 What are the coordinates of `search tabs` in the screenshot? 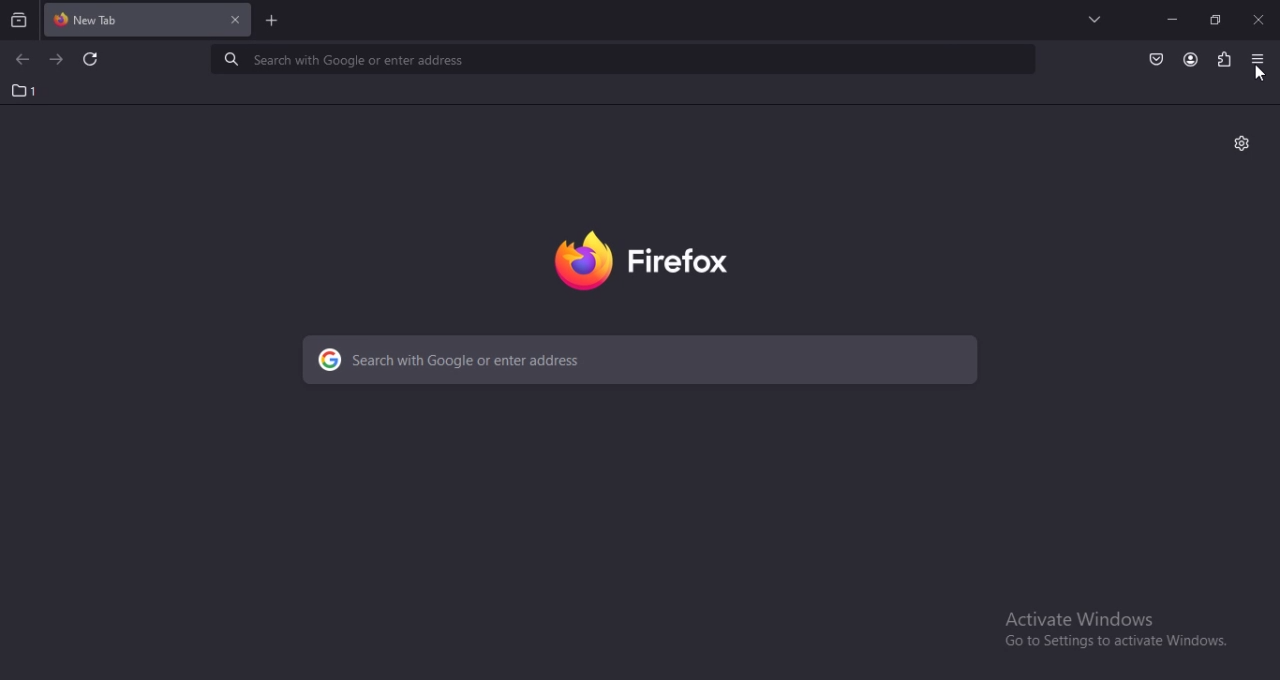 It's located at (19, 19).